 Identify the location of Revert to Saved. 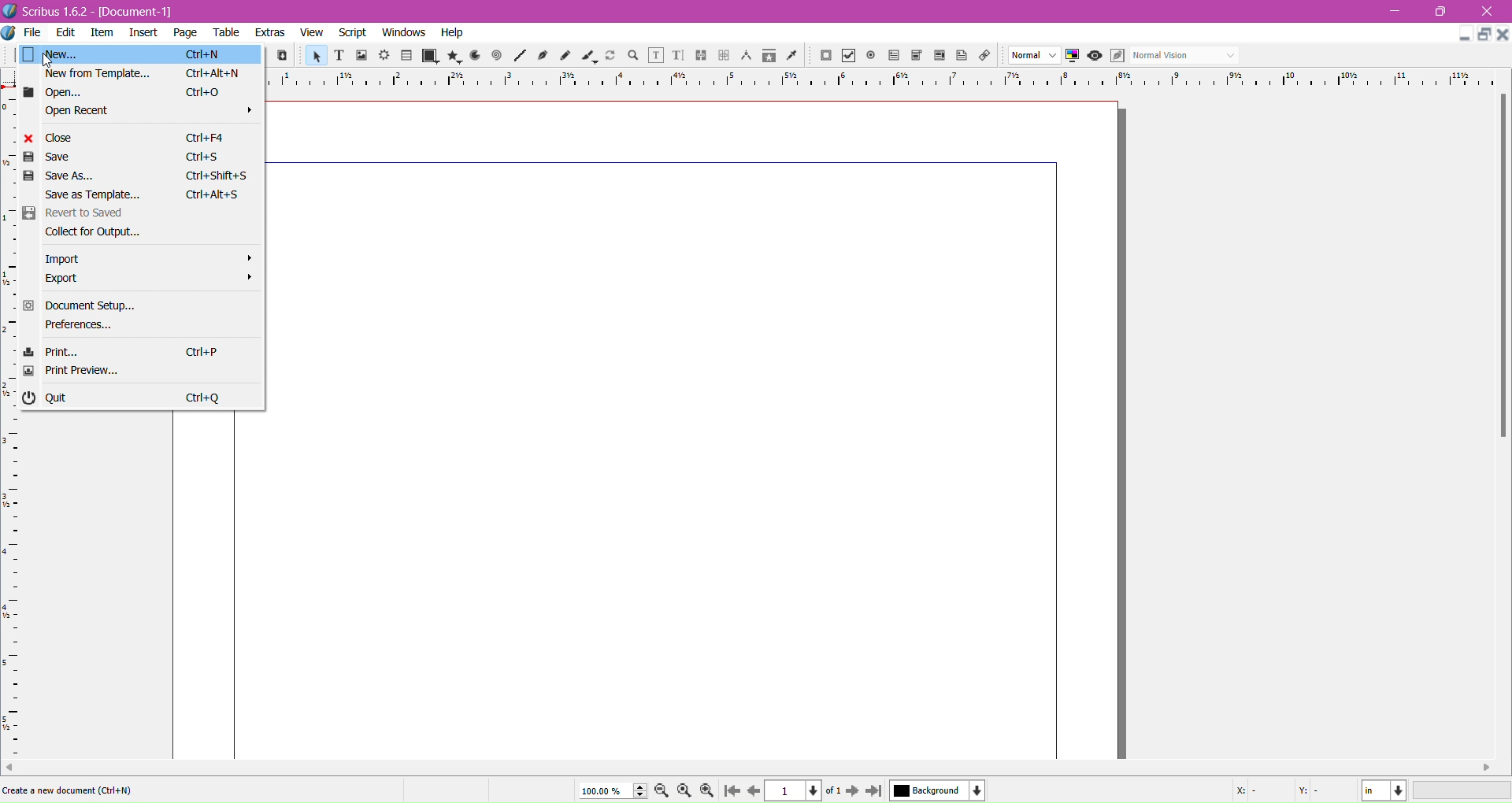
(143, 215).